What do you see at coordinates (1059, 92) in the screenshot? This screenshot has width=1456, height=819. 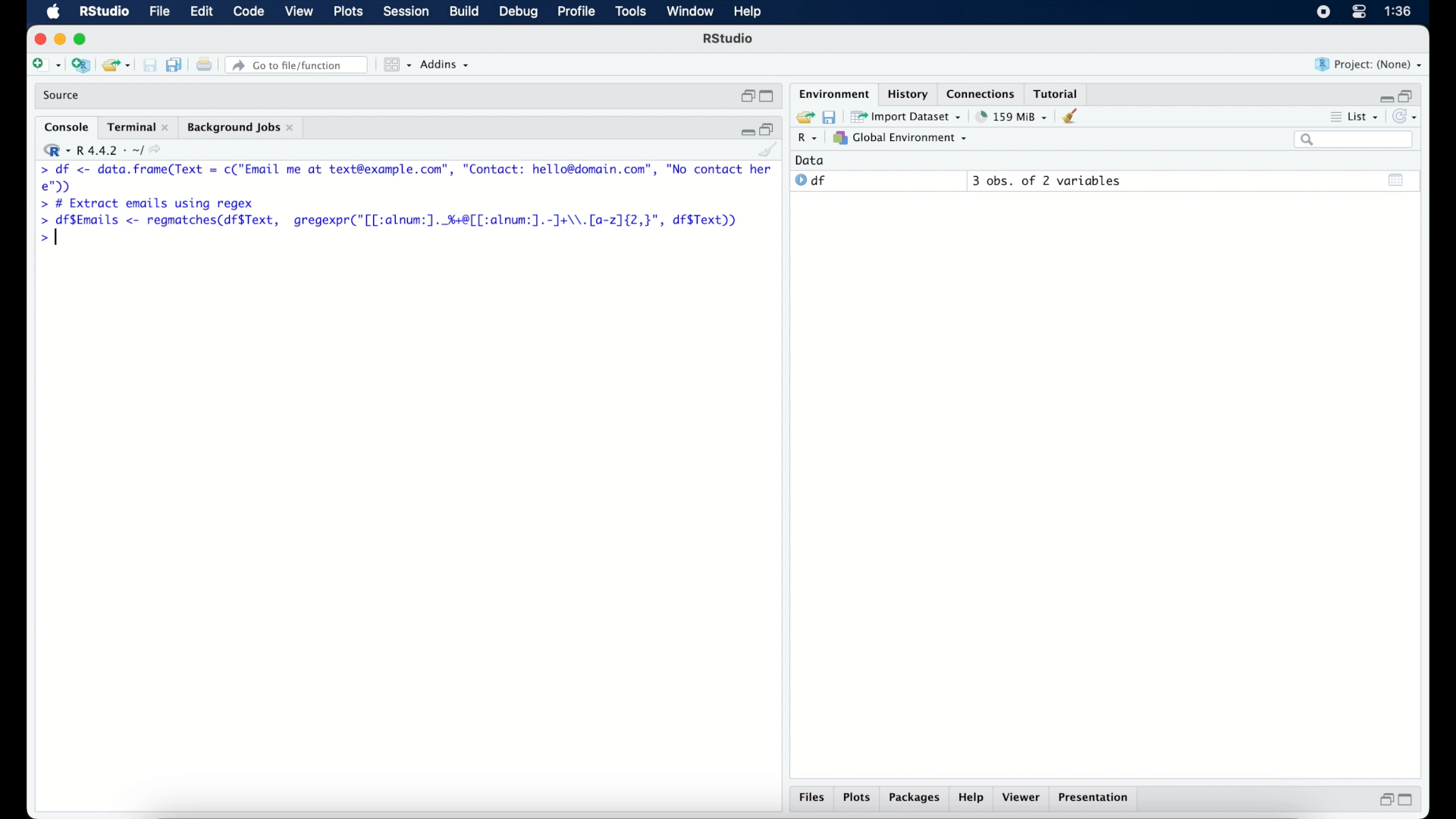 I see `tutorial` at bounding box center [1059, 92].